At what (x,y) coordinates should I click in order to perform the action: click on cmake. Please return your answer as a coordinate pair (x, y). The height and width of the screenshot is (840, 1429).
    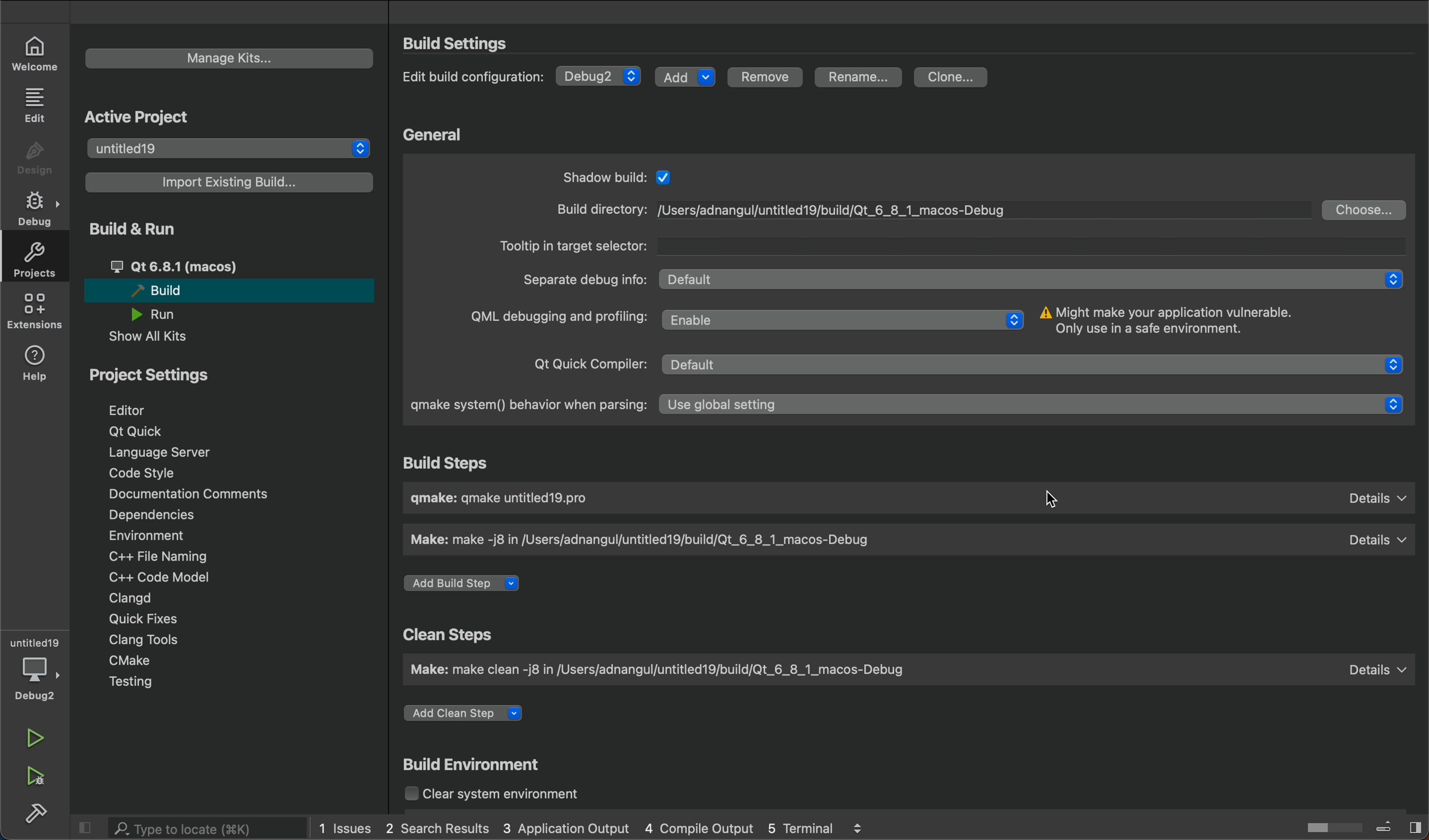
    Looking at the image, I should click on (137, 662).